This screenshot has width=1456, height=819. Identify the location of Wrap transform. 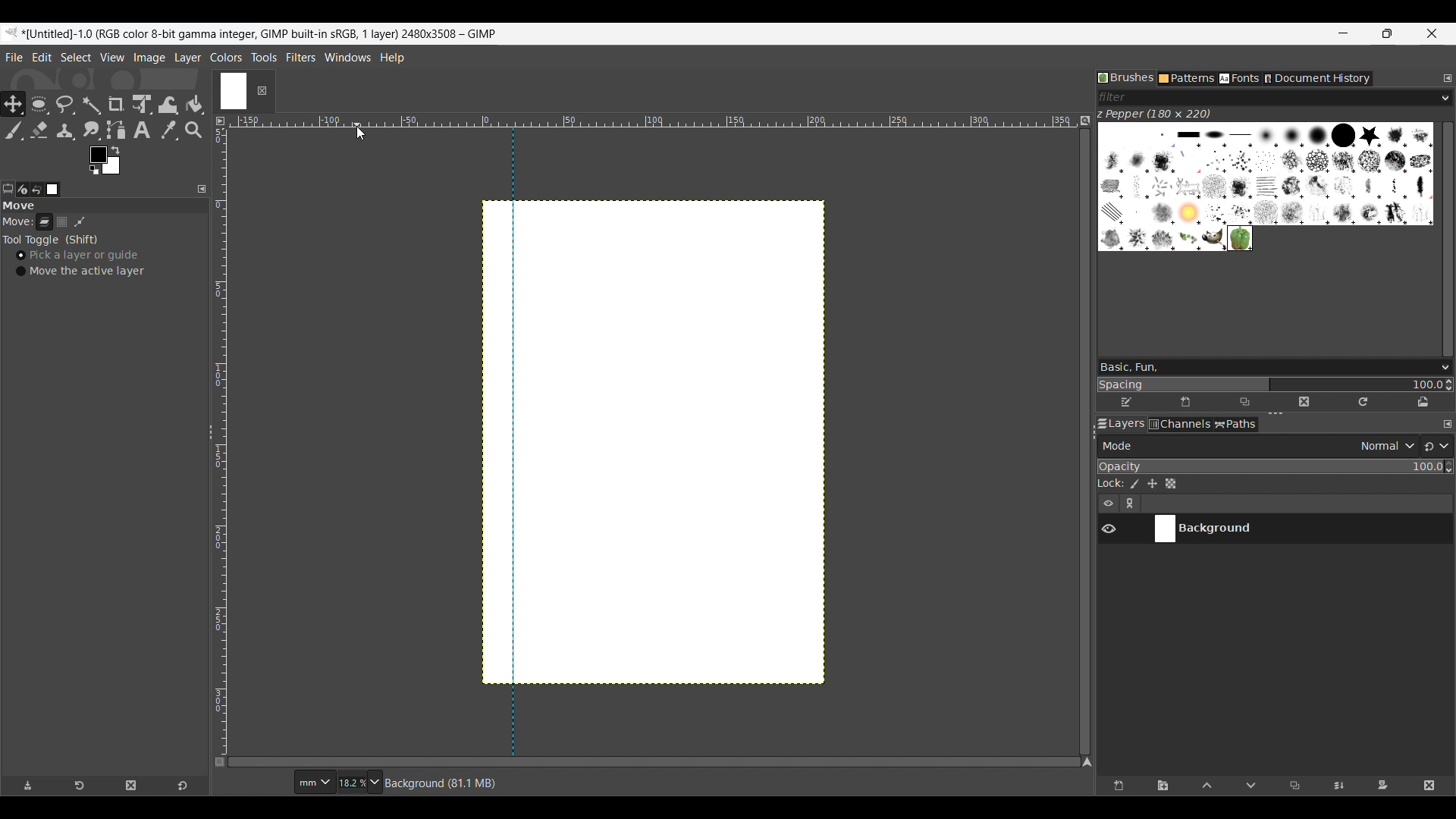
(168, 105).